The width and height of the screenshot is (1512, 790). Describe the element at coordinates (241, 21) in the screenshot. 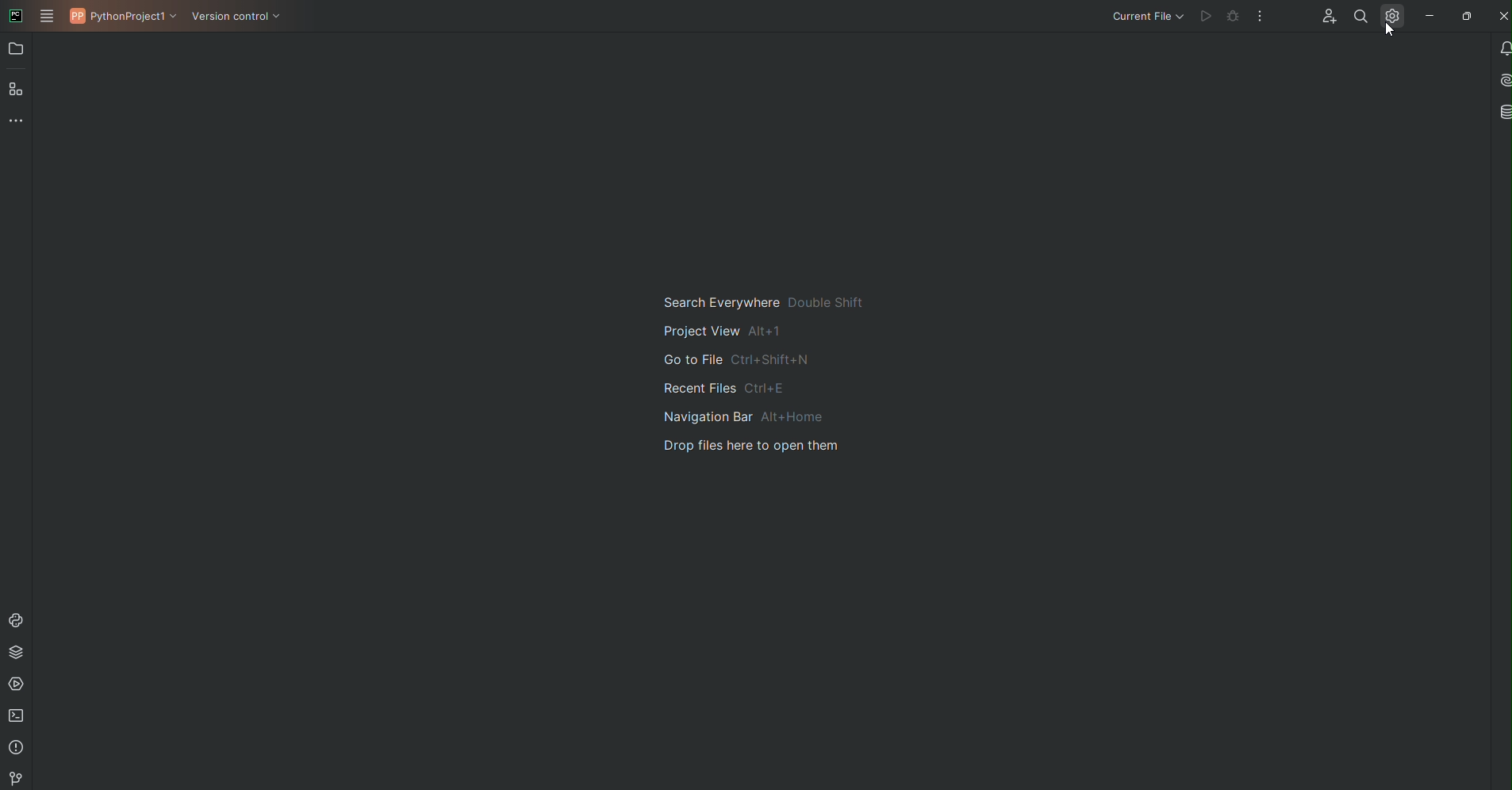

I see `Version Control` at that location.